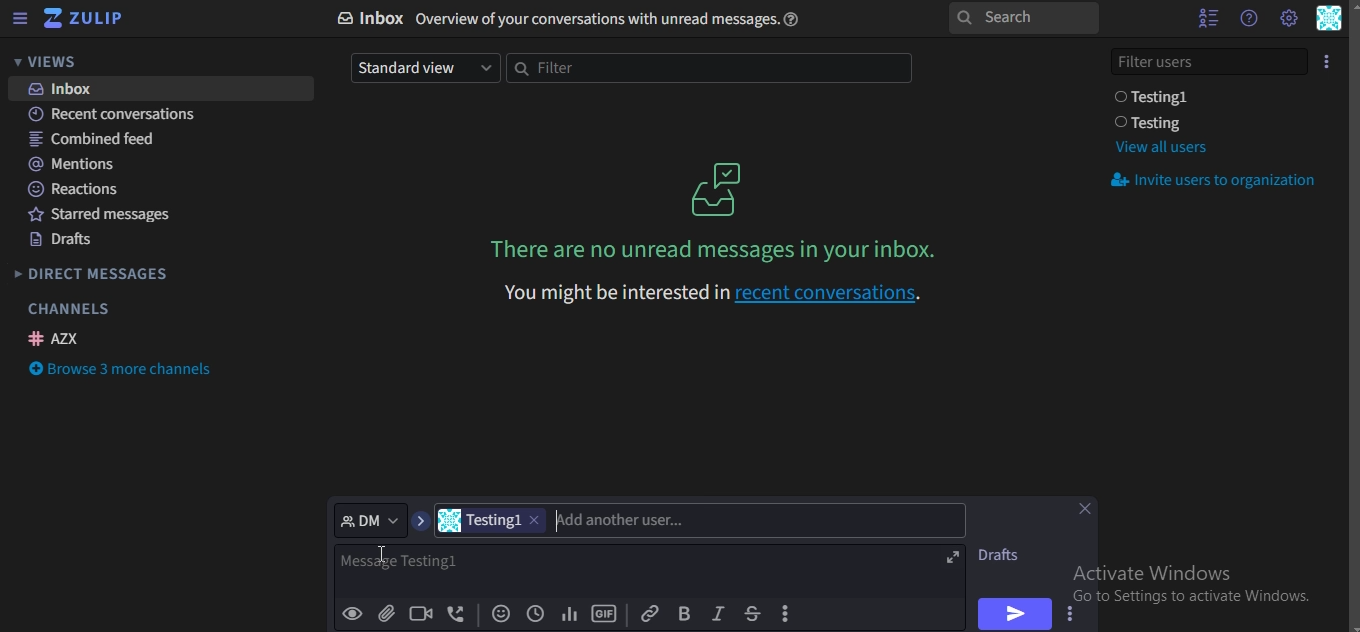  What do you see at coordinates (718, 249) in the screenshot?
I see `There are no unread messages in your inbox.` at bounding box center [718, 249].